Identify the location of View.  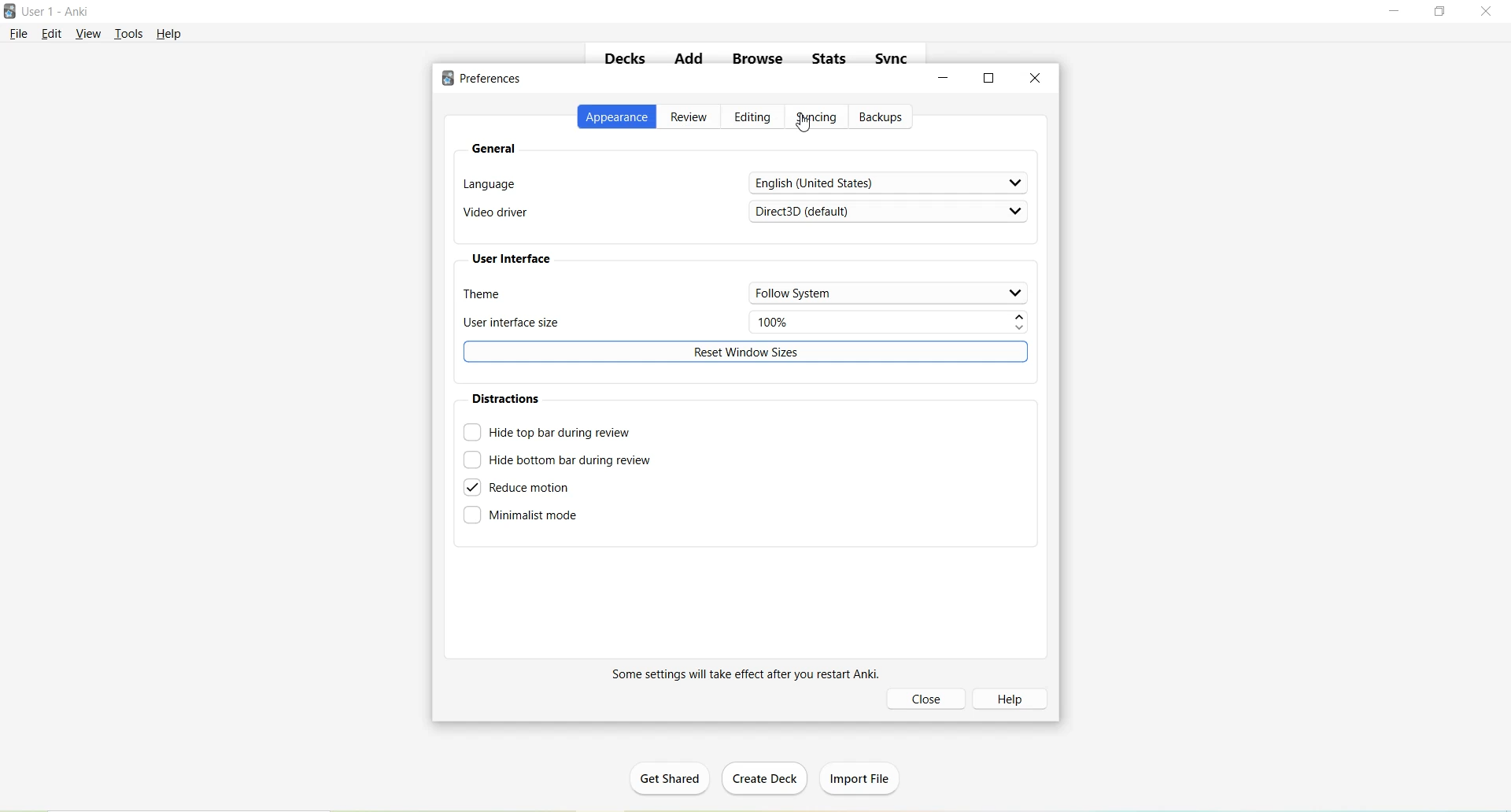
(89, 33).